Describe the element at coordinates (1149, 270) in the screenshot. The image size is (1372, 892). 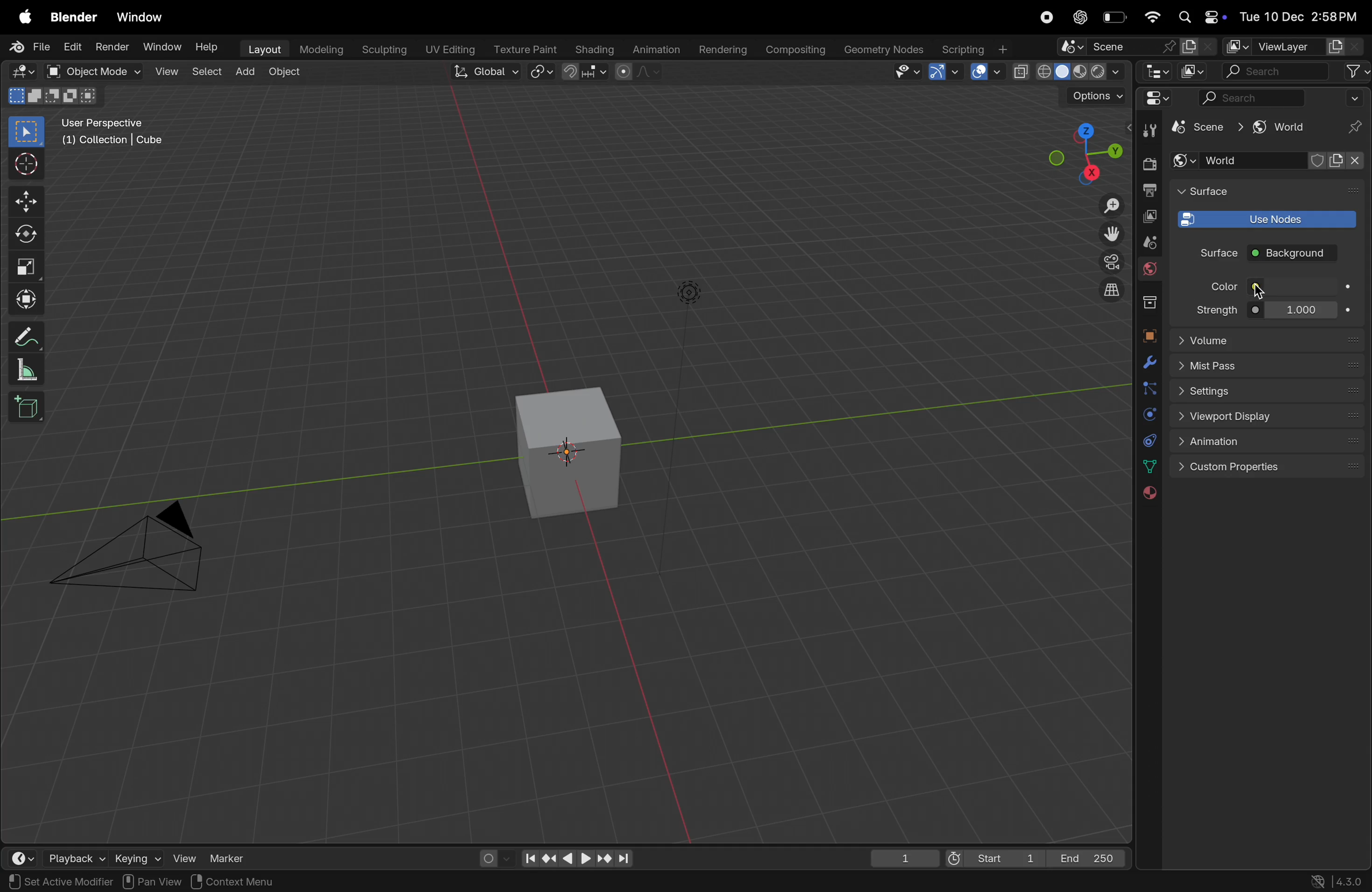
I see `World` at that location.